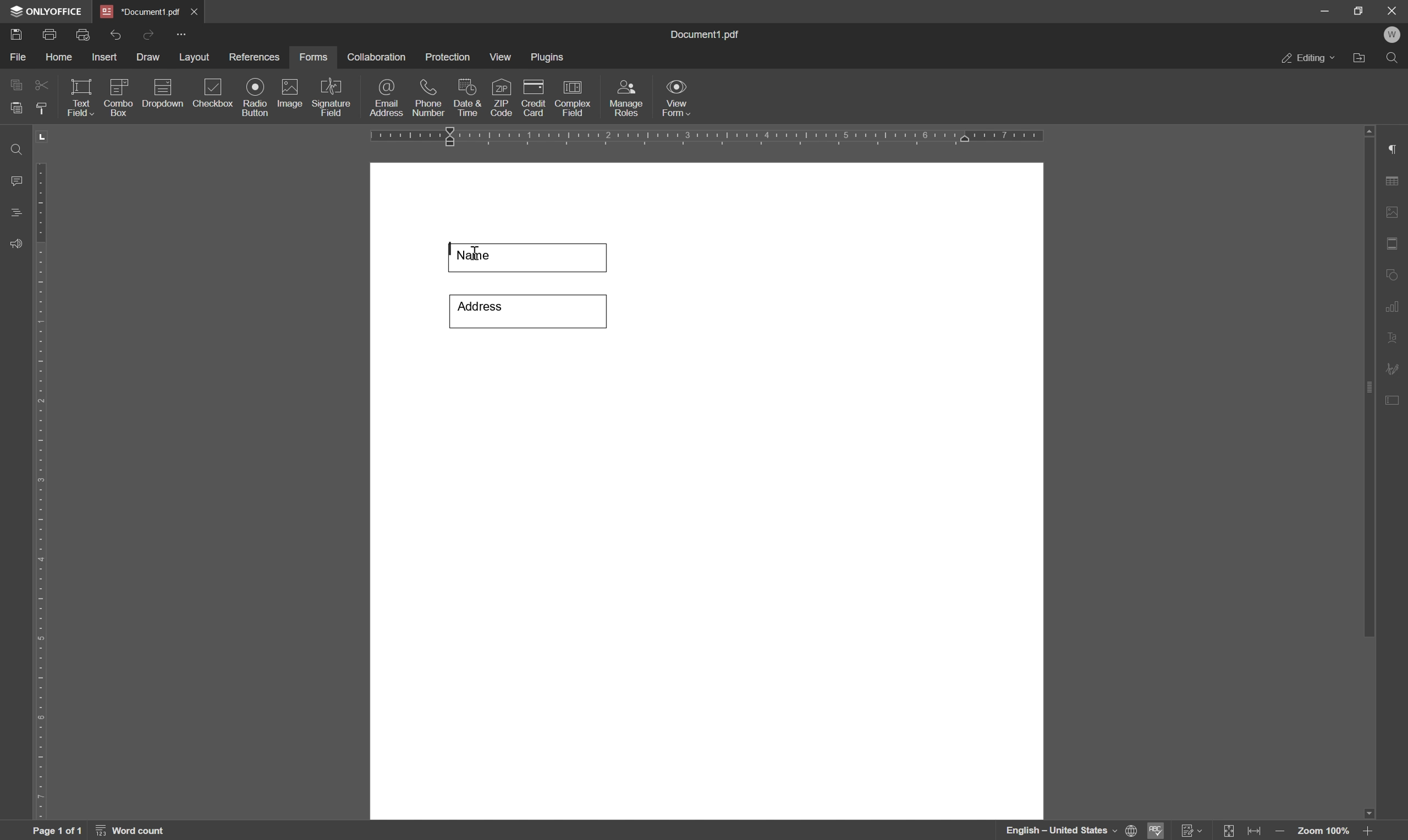  What do you see at coordinates (679, 98) in the screenshot?
I see `view form` at bounding box center [679, 98].